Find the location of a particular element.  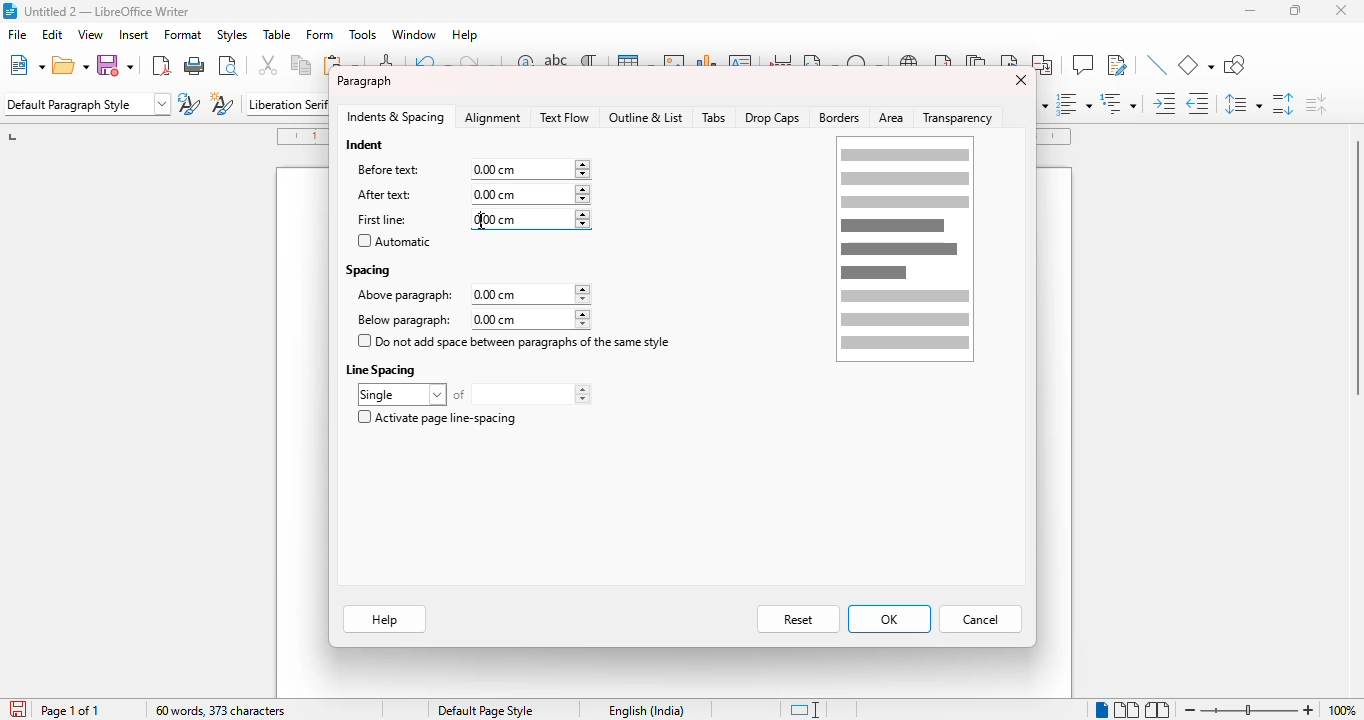

new style from selection is located at coordinates (223, 103).